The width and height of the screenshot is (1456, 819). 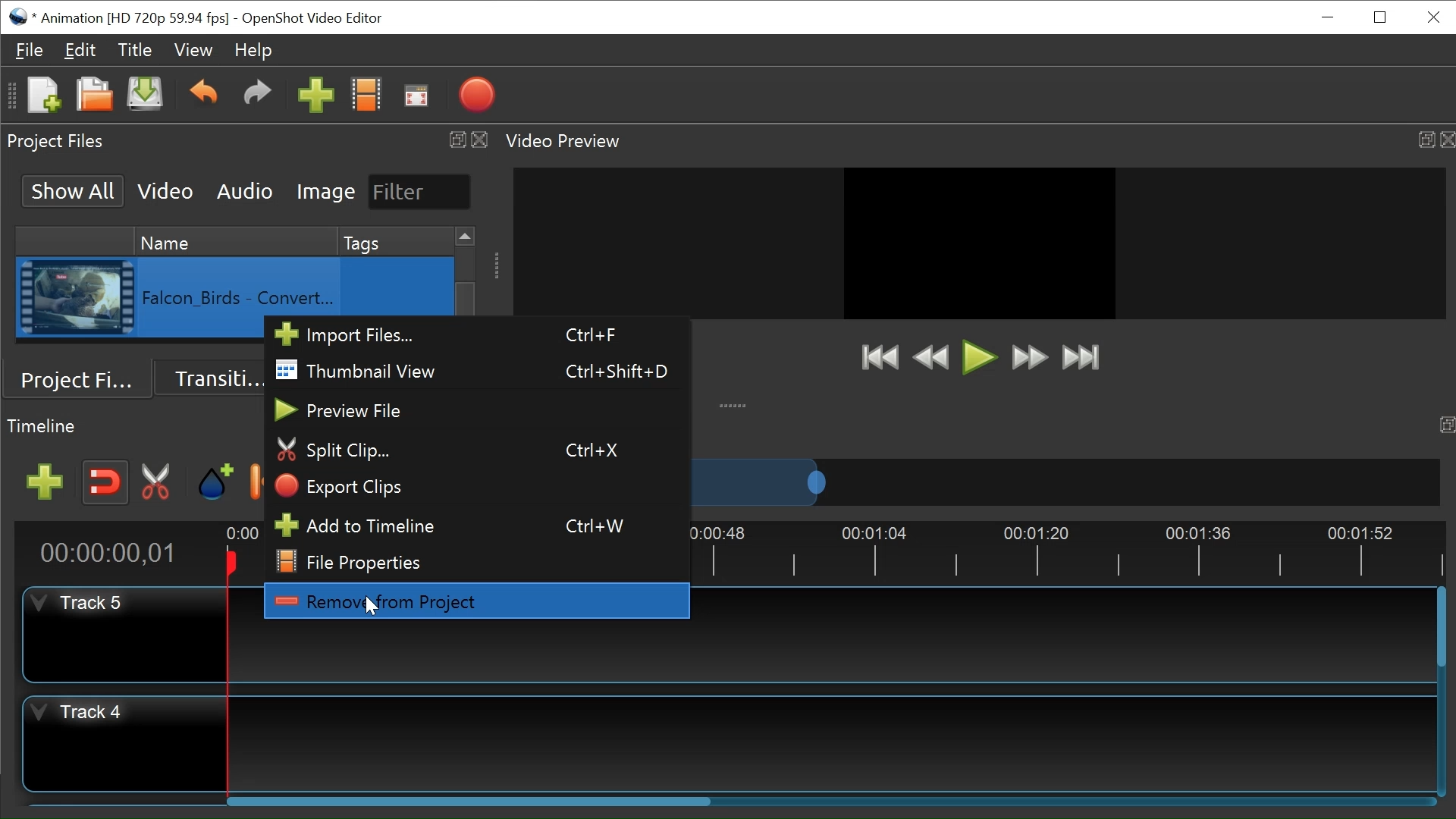 What do you see at coordinates (115, 553) in the screenshot?
I see `Current Position` at bounding box center [115, 553].